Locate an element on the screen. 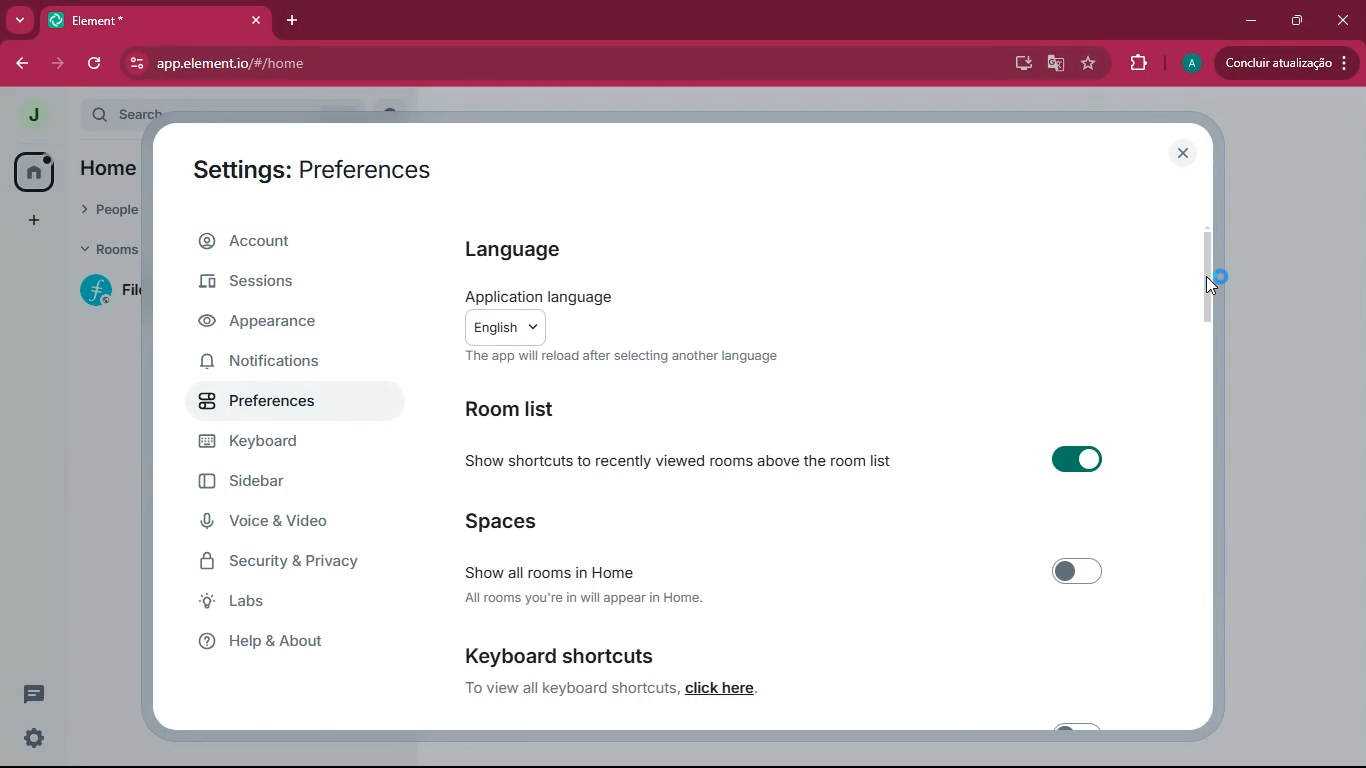 The image size is (1366, 768). Sidebar is located at coordinates (254, 480).